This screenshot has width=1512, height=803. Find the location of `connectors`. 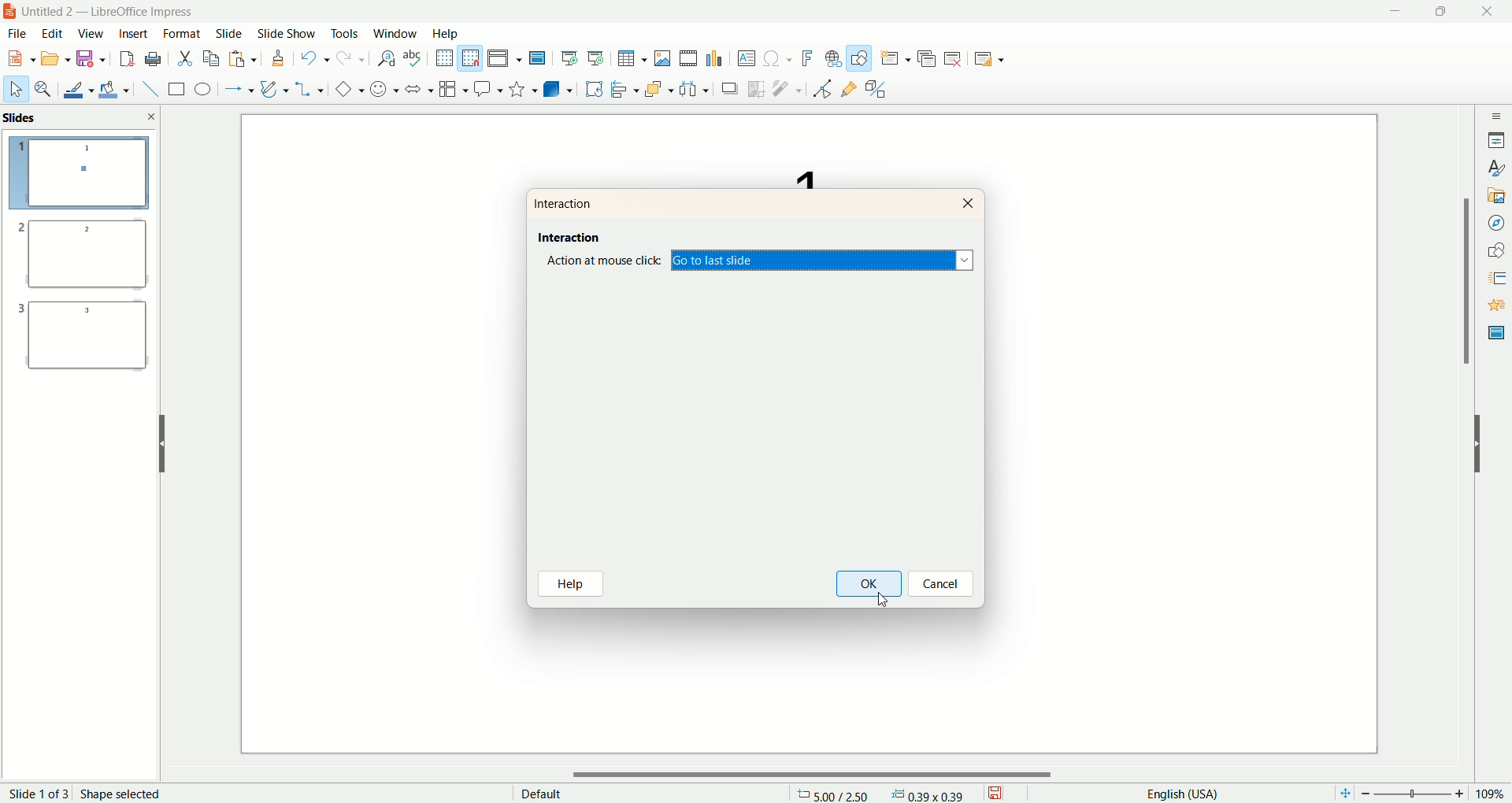

connectors is located at coordinates (309, 89).